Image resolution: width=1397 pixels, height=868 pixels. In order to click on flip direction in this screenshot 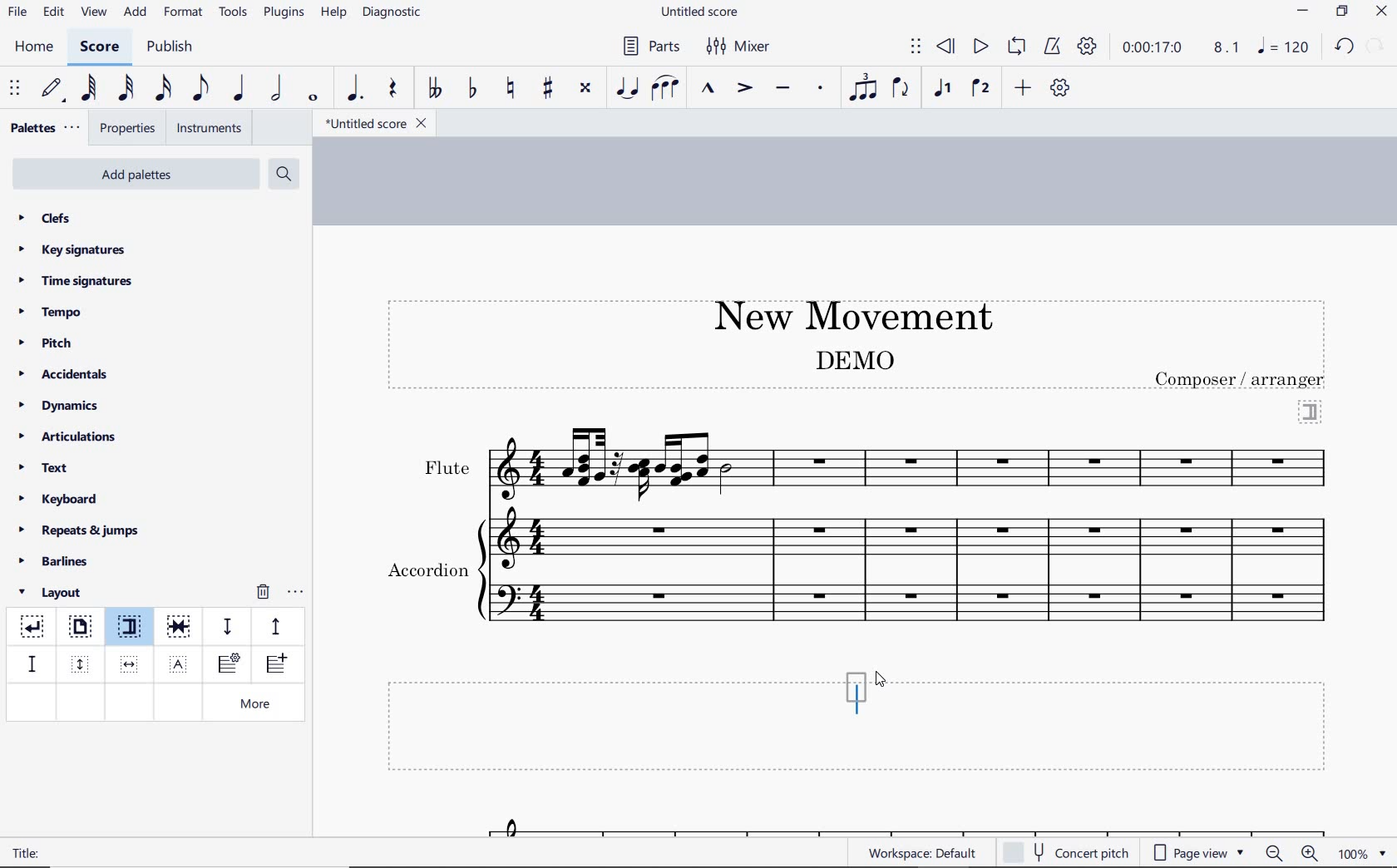, I will do `click(901, 86)`.